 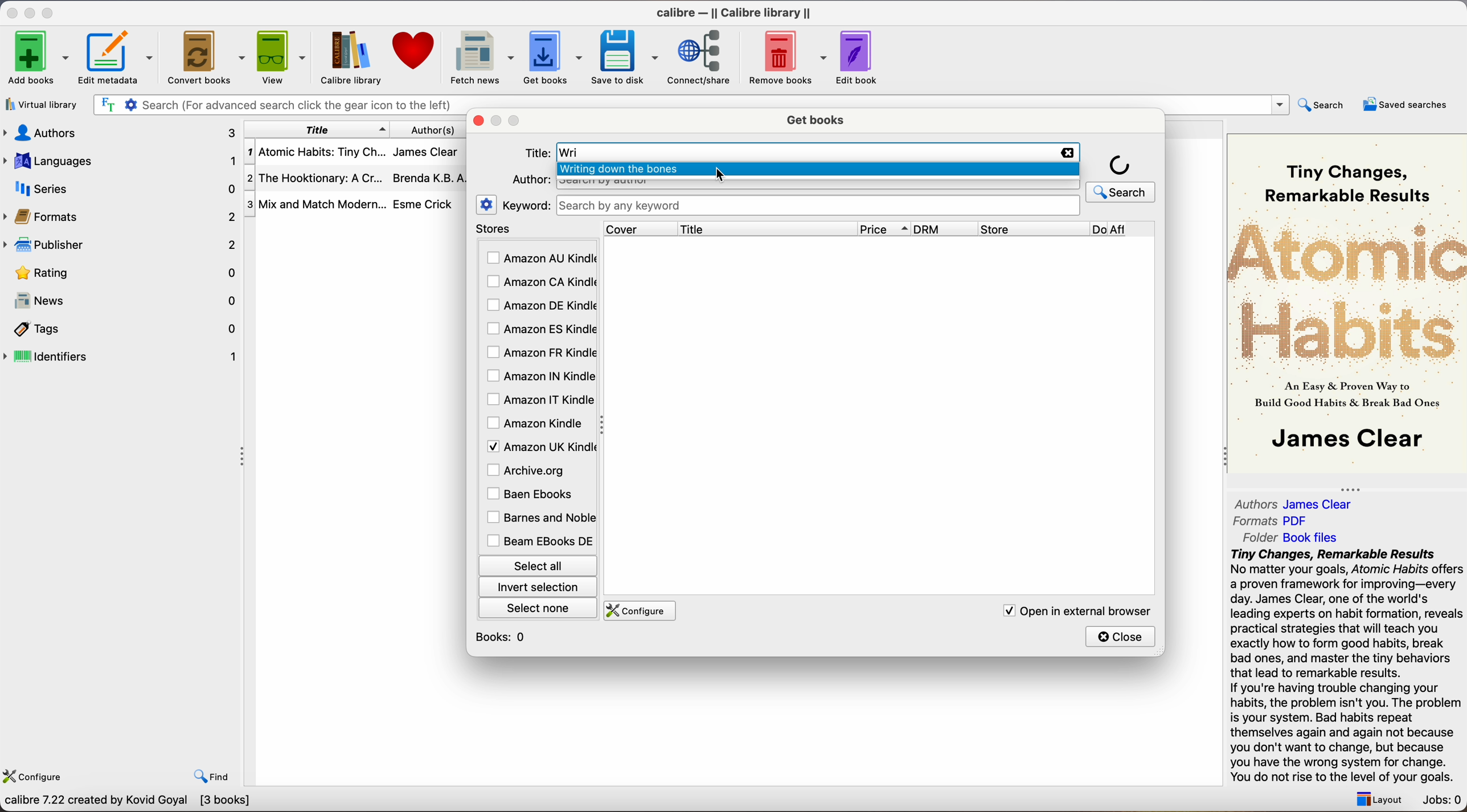 I want to click on archieve.org, so click(x=528, y=470).